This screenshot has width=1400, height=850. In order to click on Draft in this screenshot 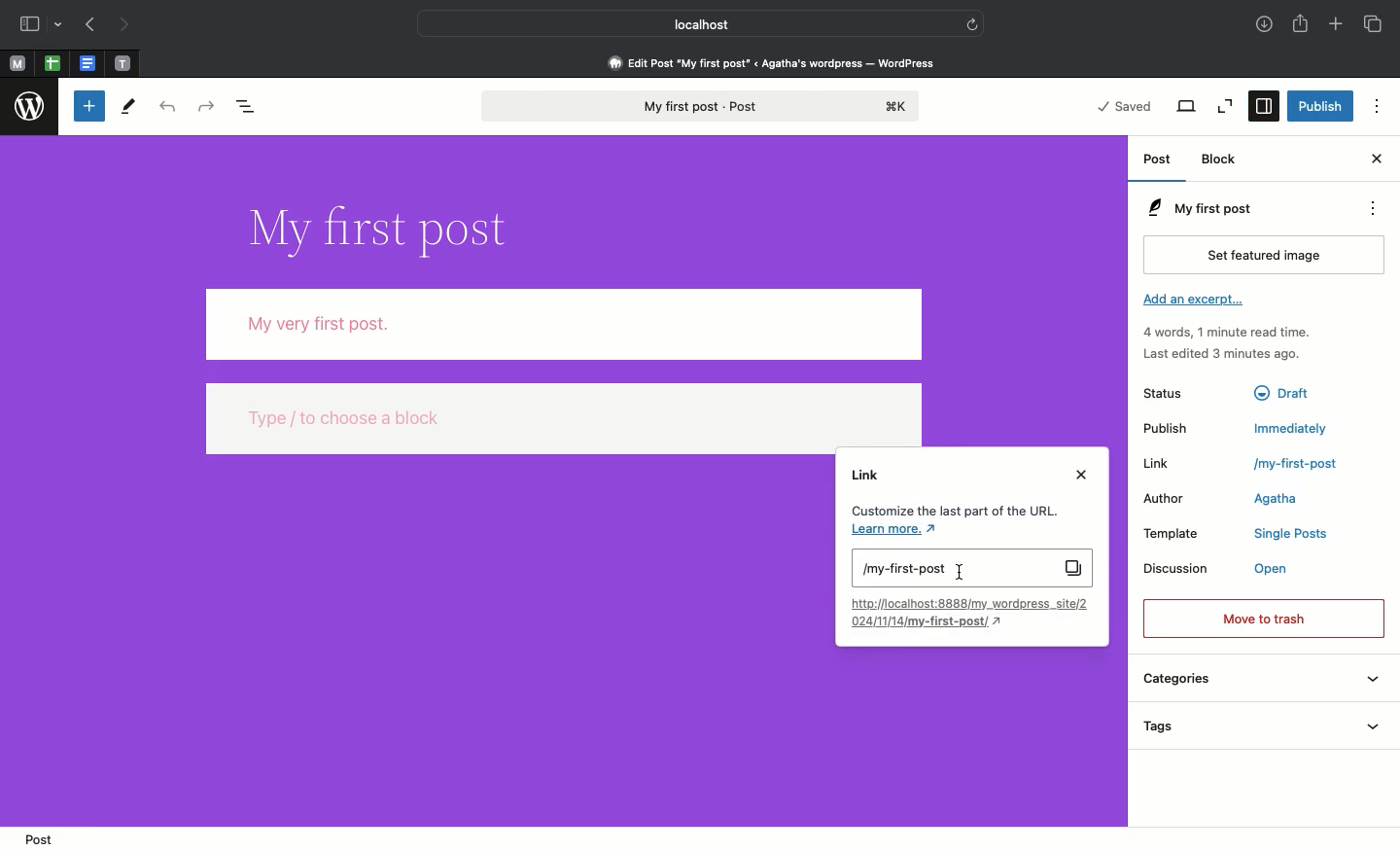, I will do `click(1286, 393)`.